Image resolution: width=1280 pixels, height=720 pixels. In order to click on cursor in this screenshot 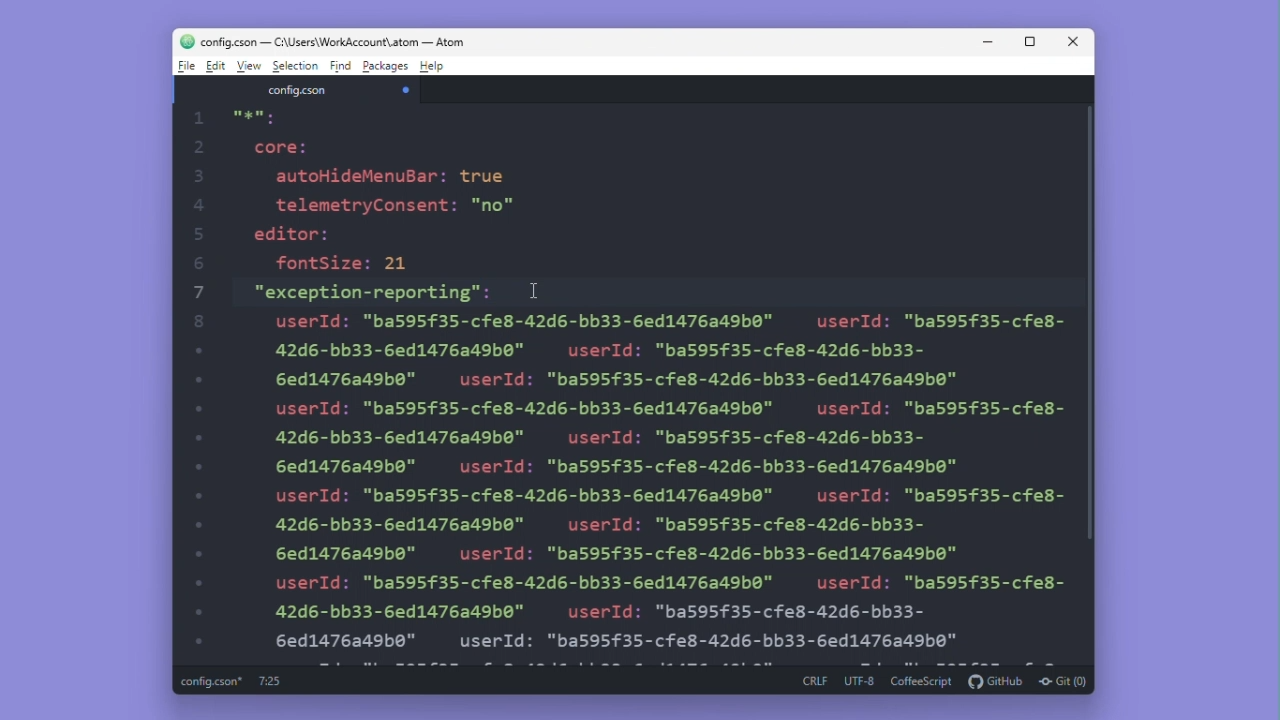, I will do `click(539, 292)`.